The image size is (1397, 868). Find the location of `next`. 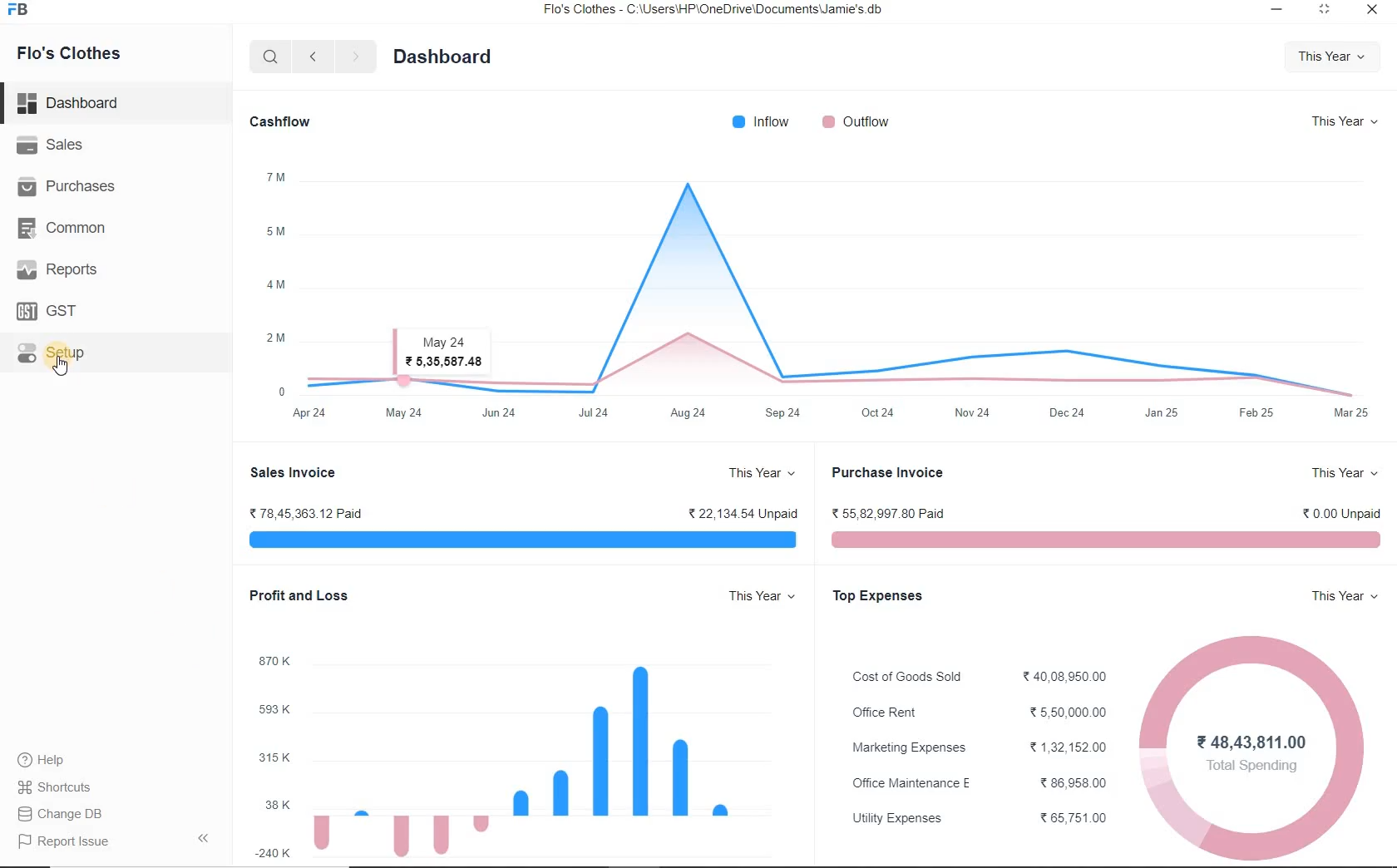

next is located at coordinates (355, 58).